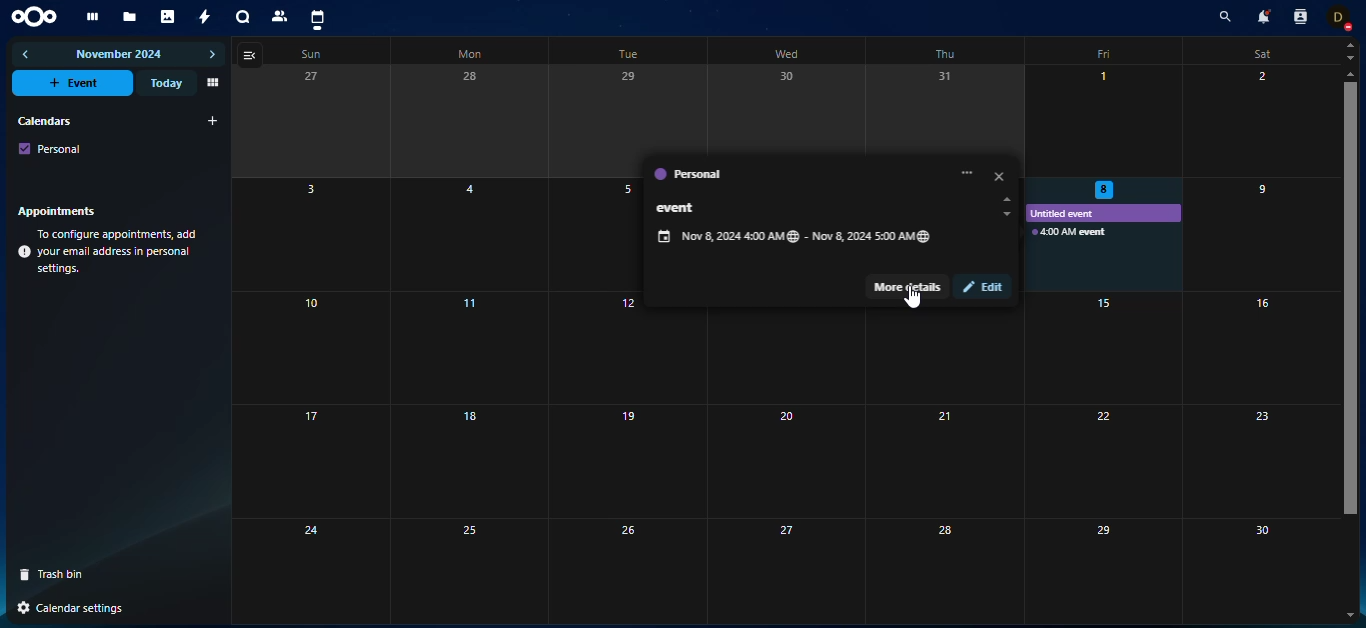 The image size is (1366, 628). I want to click on scroll bar, so click(1350, 260).